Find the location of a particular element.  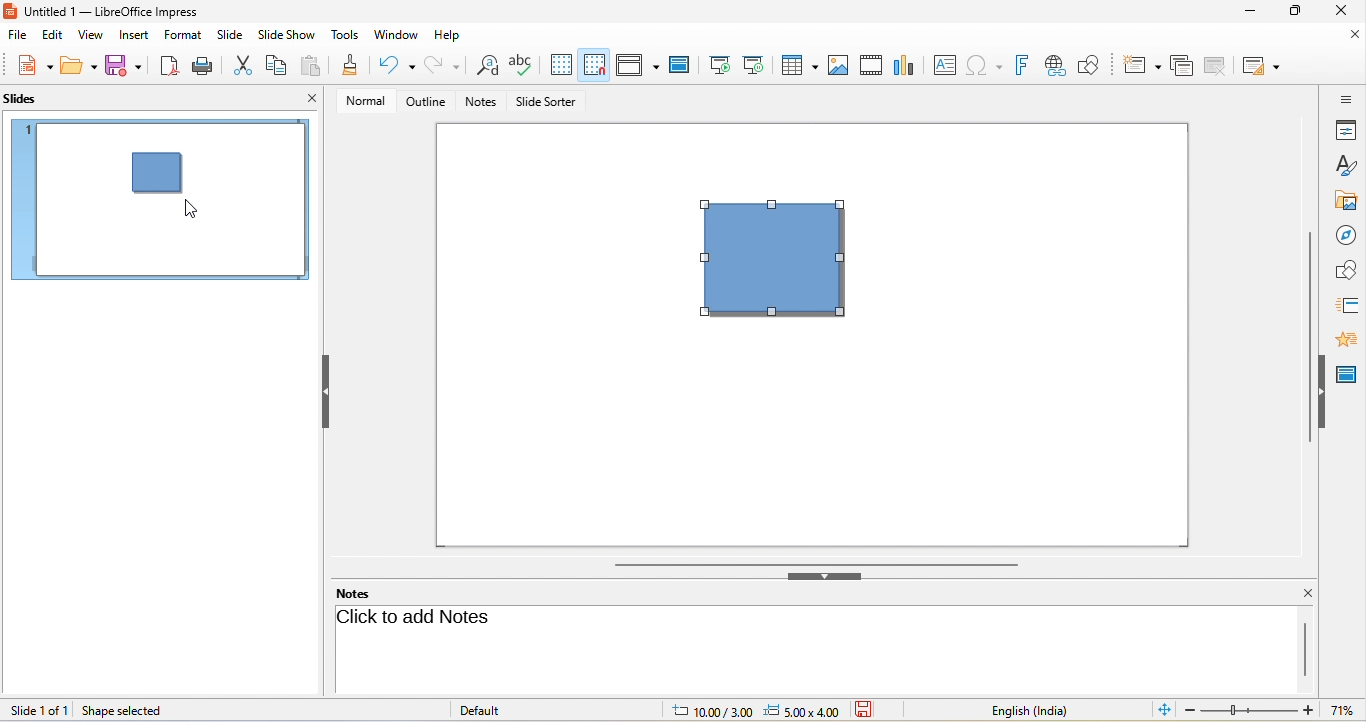

chart is located at coordinates (904, 63).